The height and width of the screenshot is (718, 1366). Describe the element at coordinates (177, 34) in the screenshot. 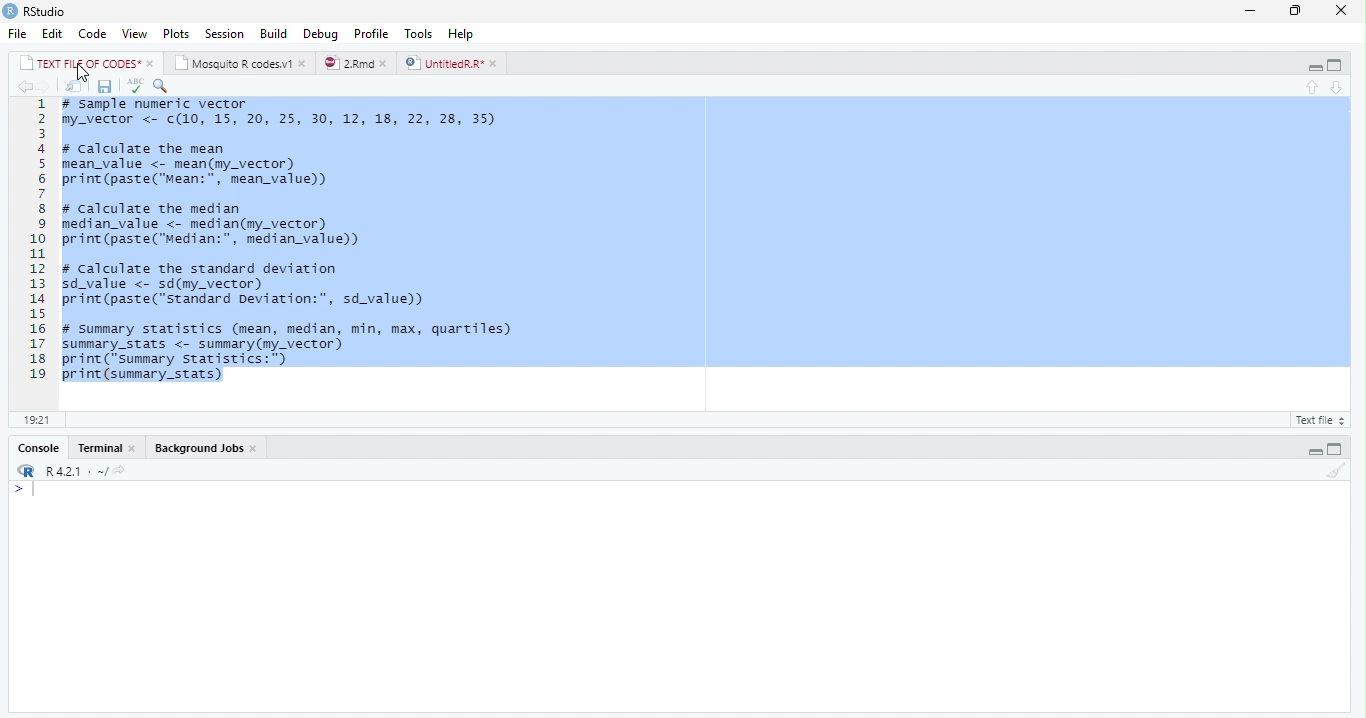

I see `plots` at that location.